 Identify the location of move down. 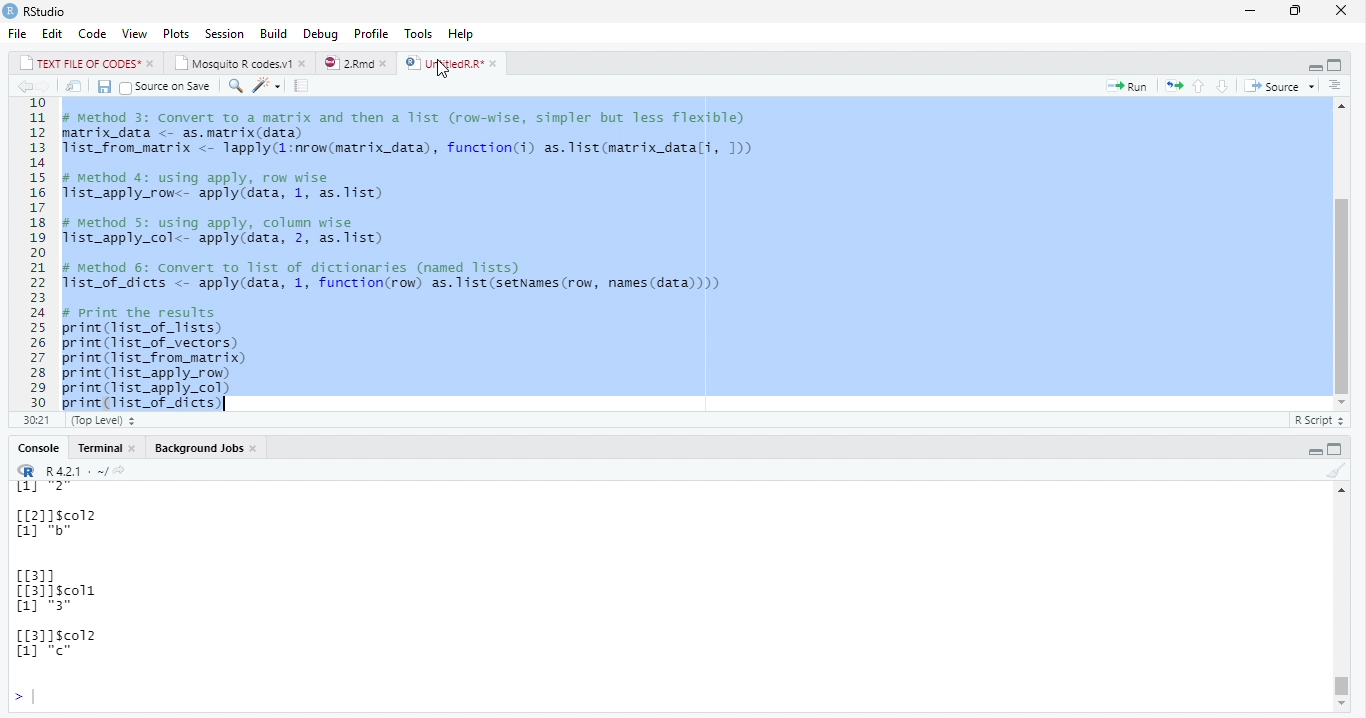
(1342, 399).